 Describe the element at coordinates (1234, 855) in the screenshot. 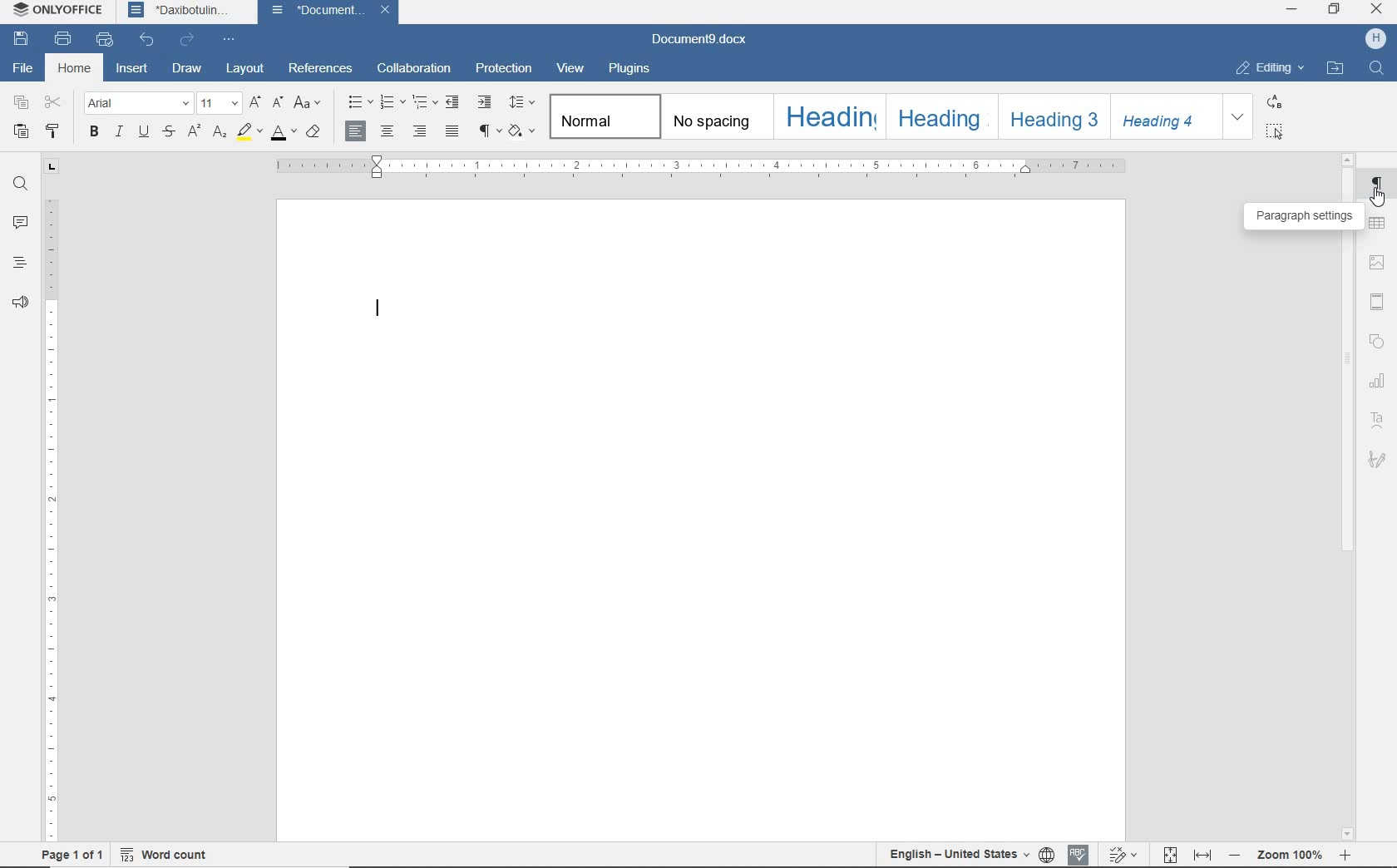

I see `zoom out or zoom in` at that location.